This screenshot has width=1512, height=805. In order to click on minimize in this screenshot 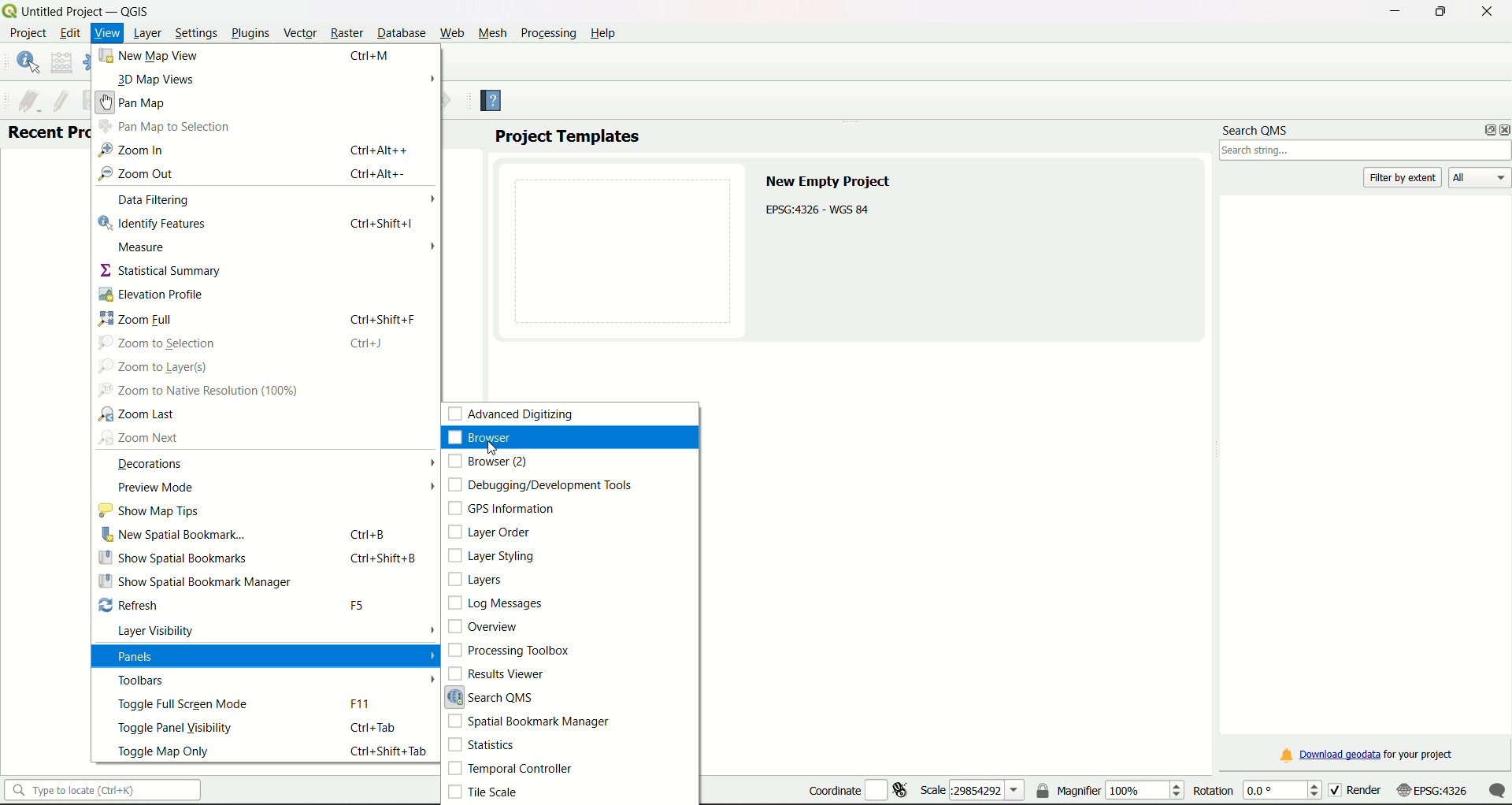, I will do `click(1392, 12)`.